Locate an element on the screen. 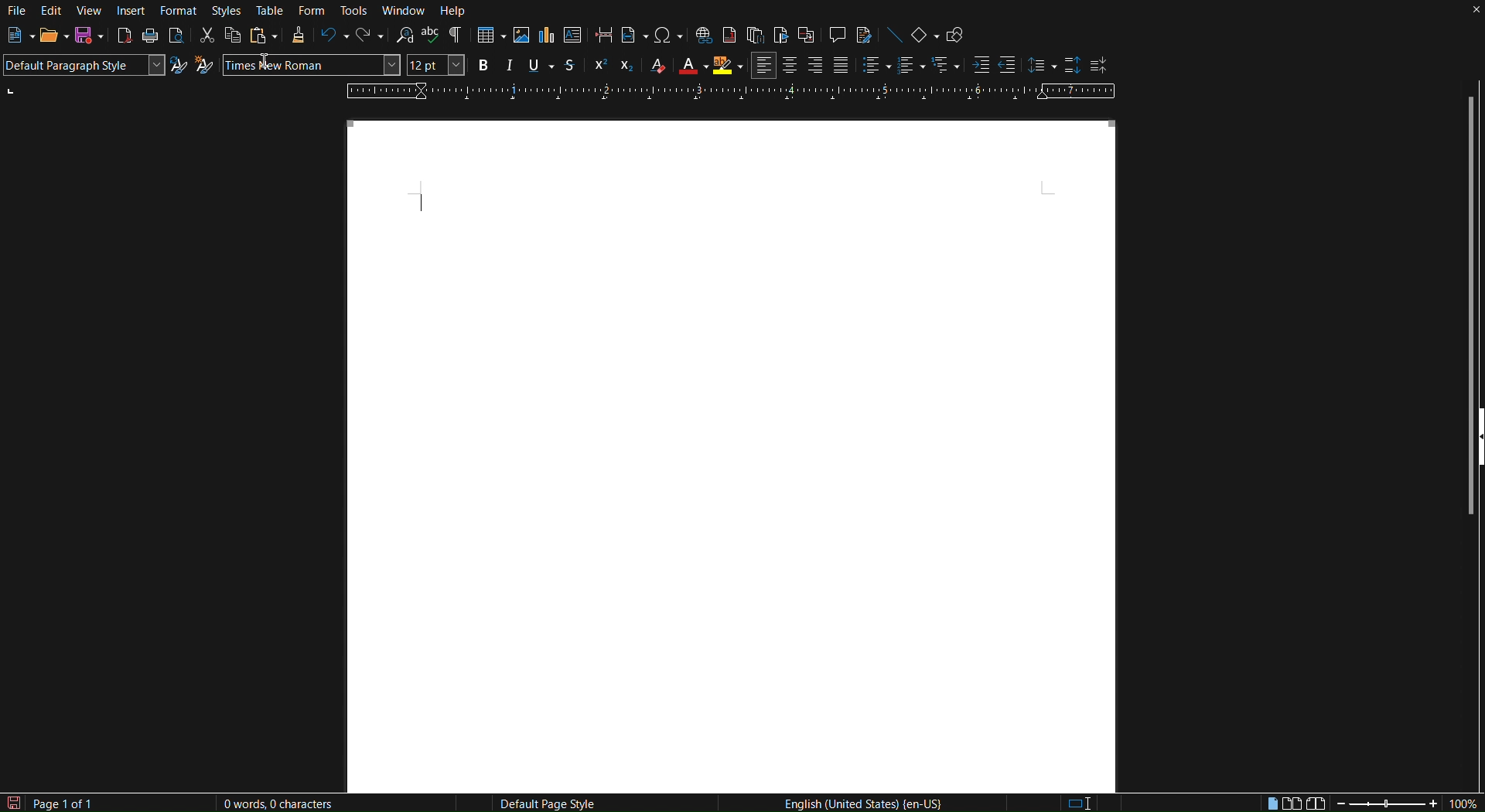 The width and height of the screenshot is (1485, 812). Centre Align is located at coordinates (790, 66).